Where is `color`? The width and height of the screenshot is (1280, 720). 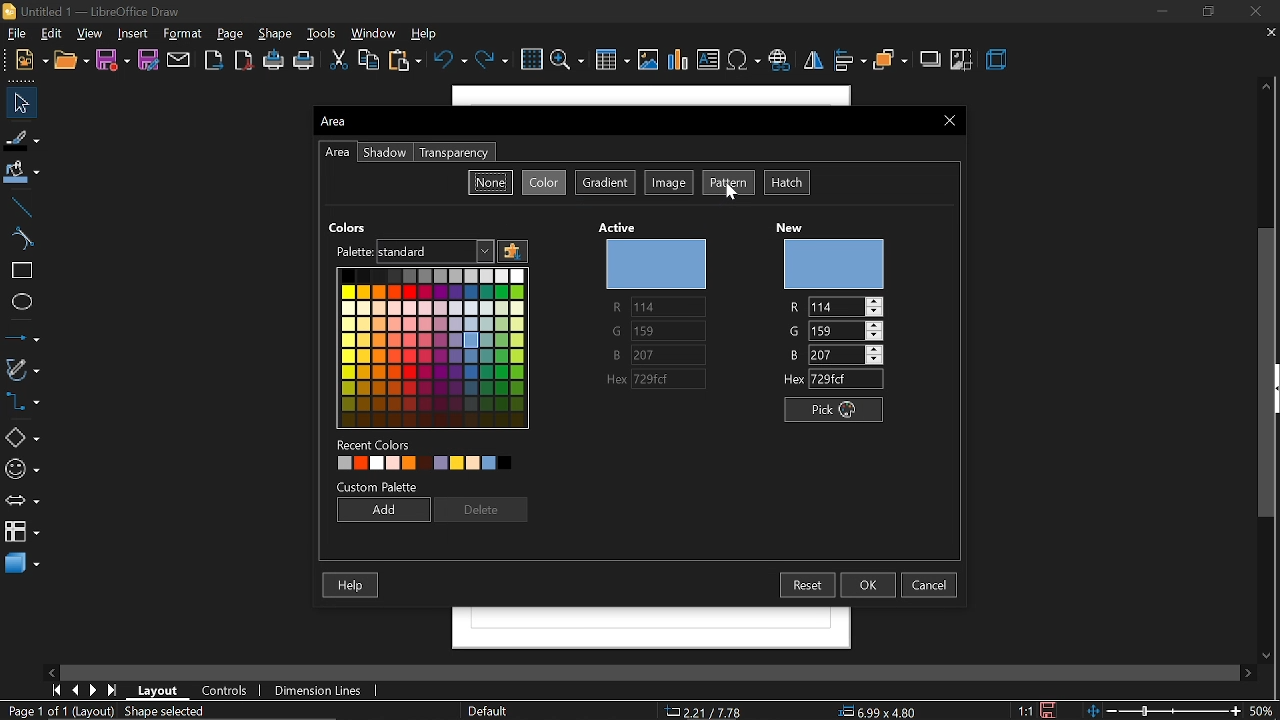 color is located at coordinates (542, 184).